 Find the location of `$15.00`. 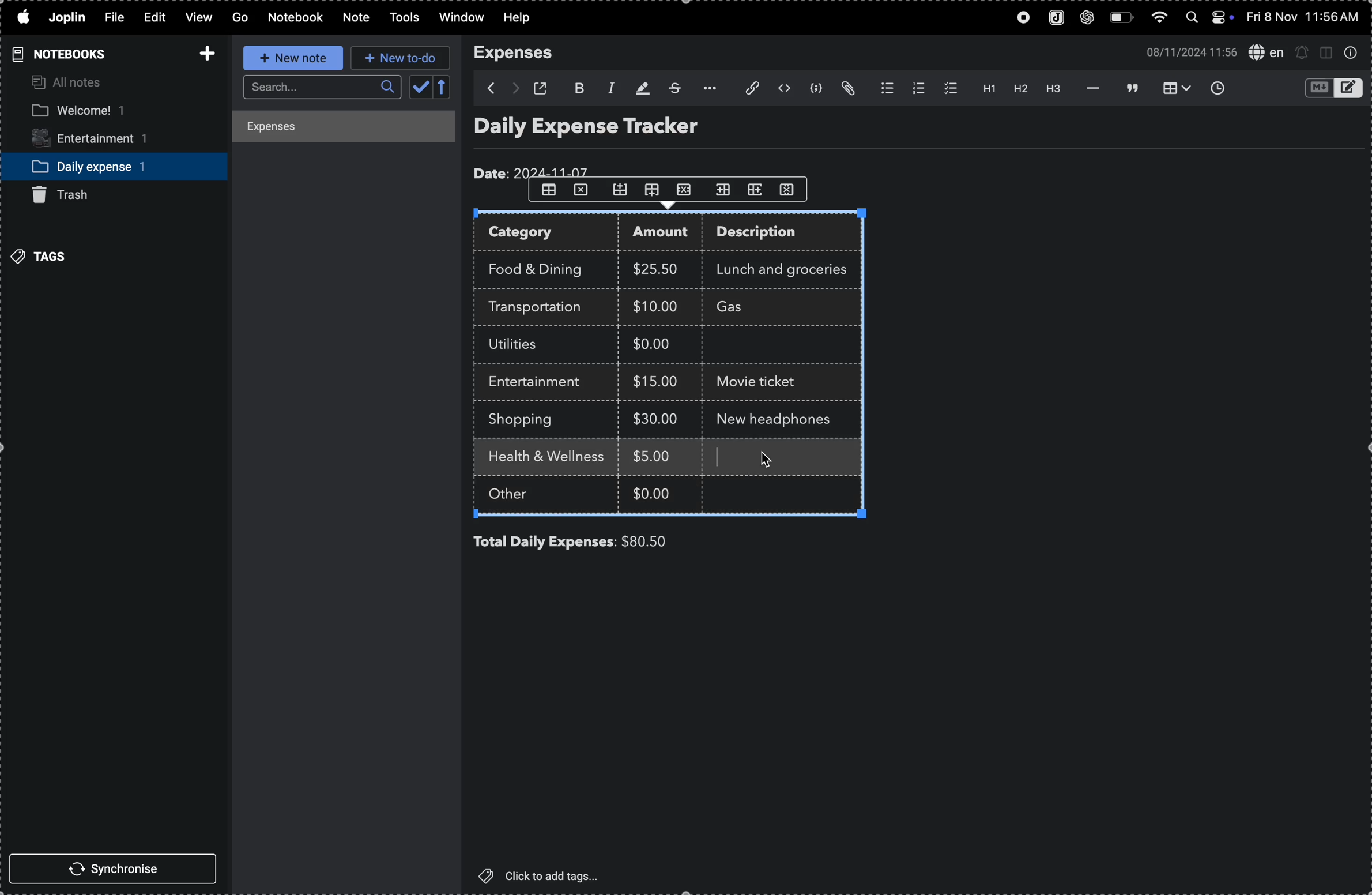

$15.00 is located at coordinates (656, 381).